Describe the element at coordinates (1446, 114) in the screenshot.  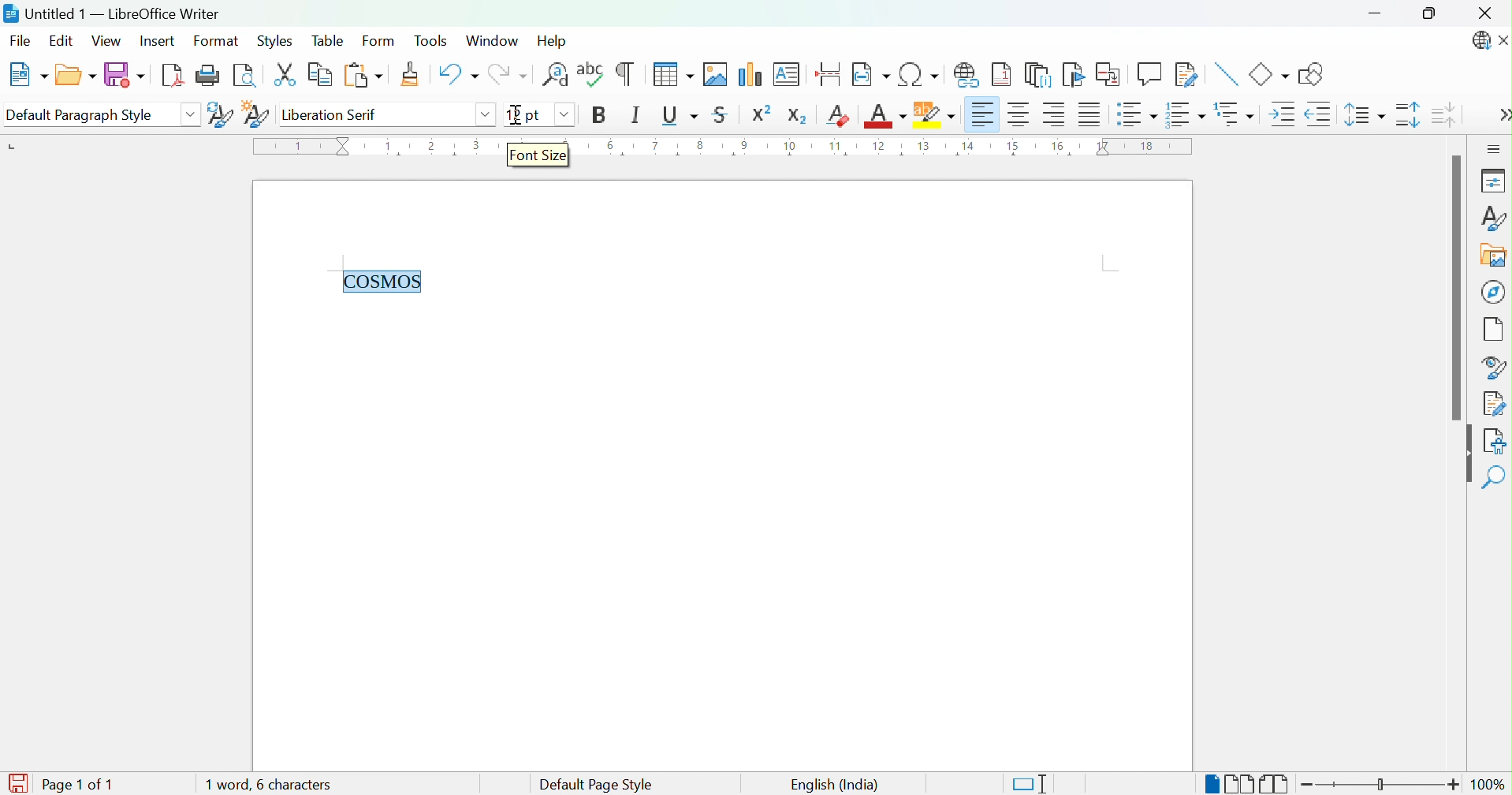
I see `Decrease Paragraph Spacing` at that location.